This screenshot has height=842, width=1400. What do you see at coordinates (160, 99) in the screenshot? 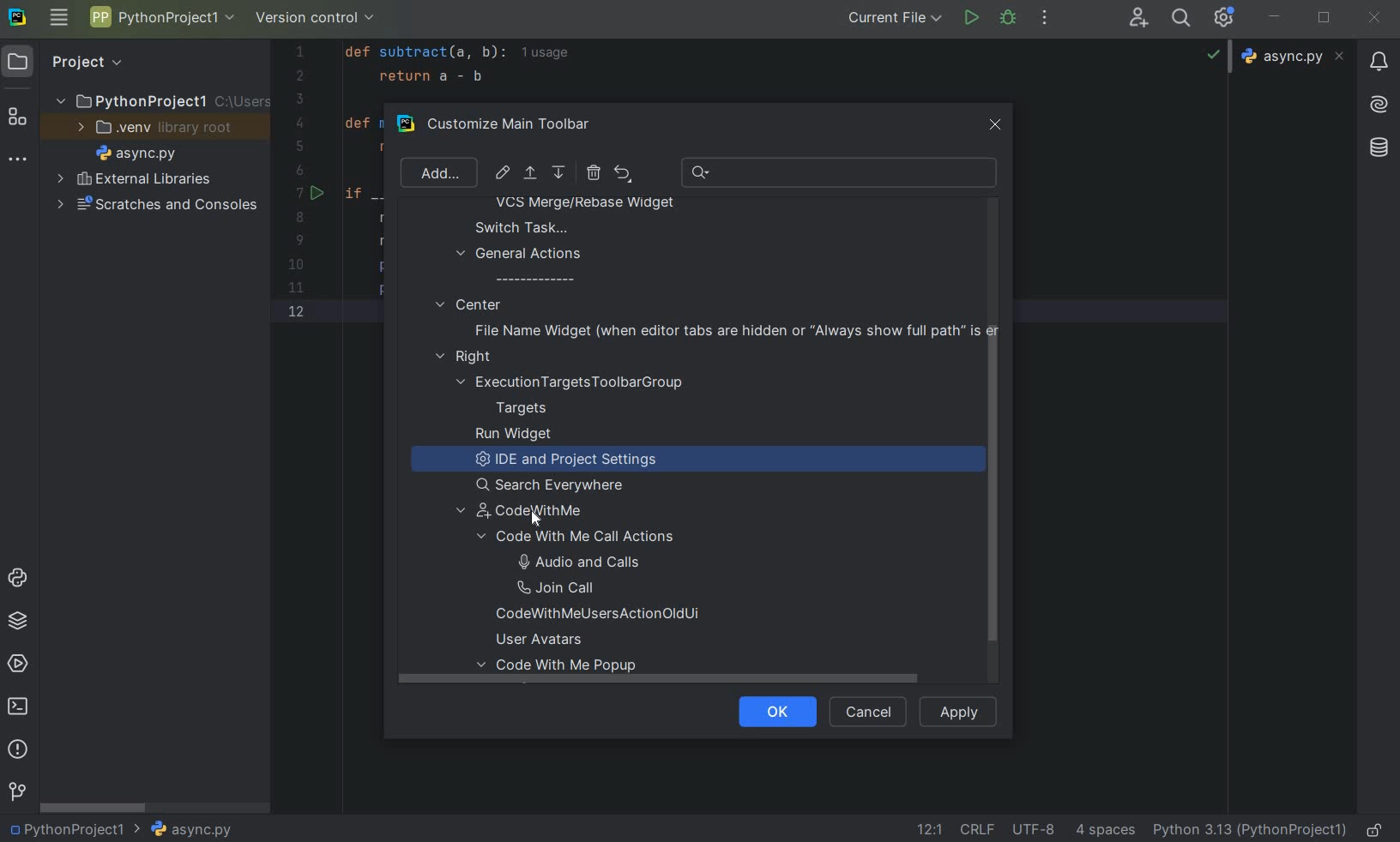
I see `PROJECT NAME` at bounding box center [160, 99].